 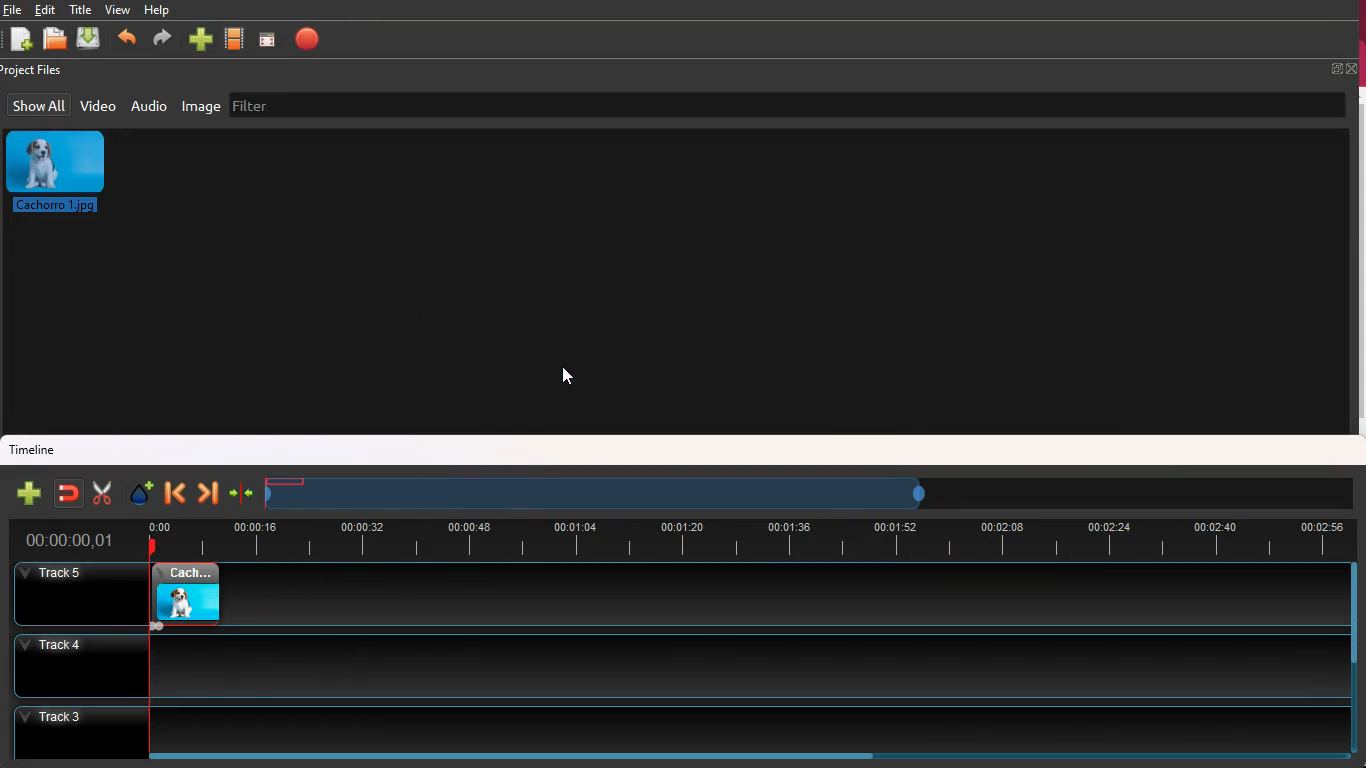 I want to click on time, so click(x=743, y=539).